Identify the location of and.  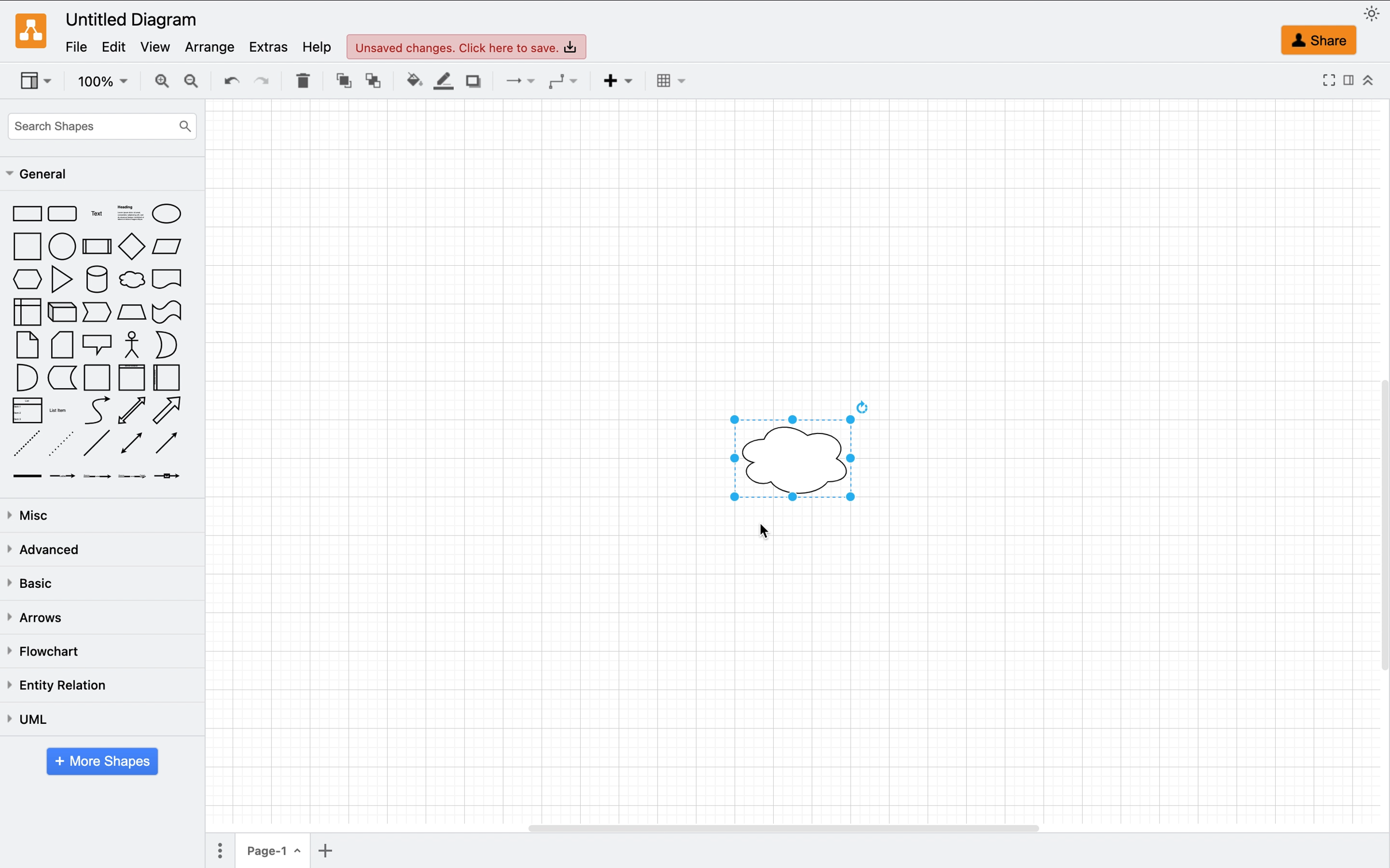
(28, 378).